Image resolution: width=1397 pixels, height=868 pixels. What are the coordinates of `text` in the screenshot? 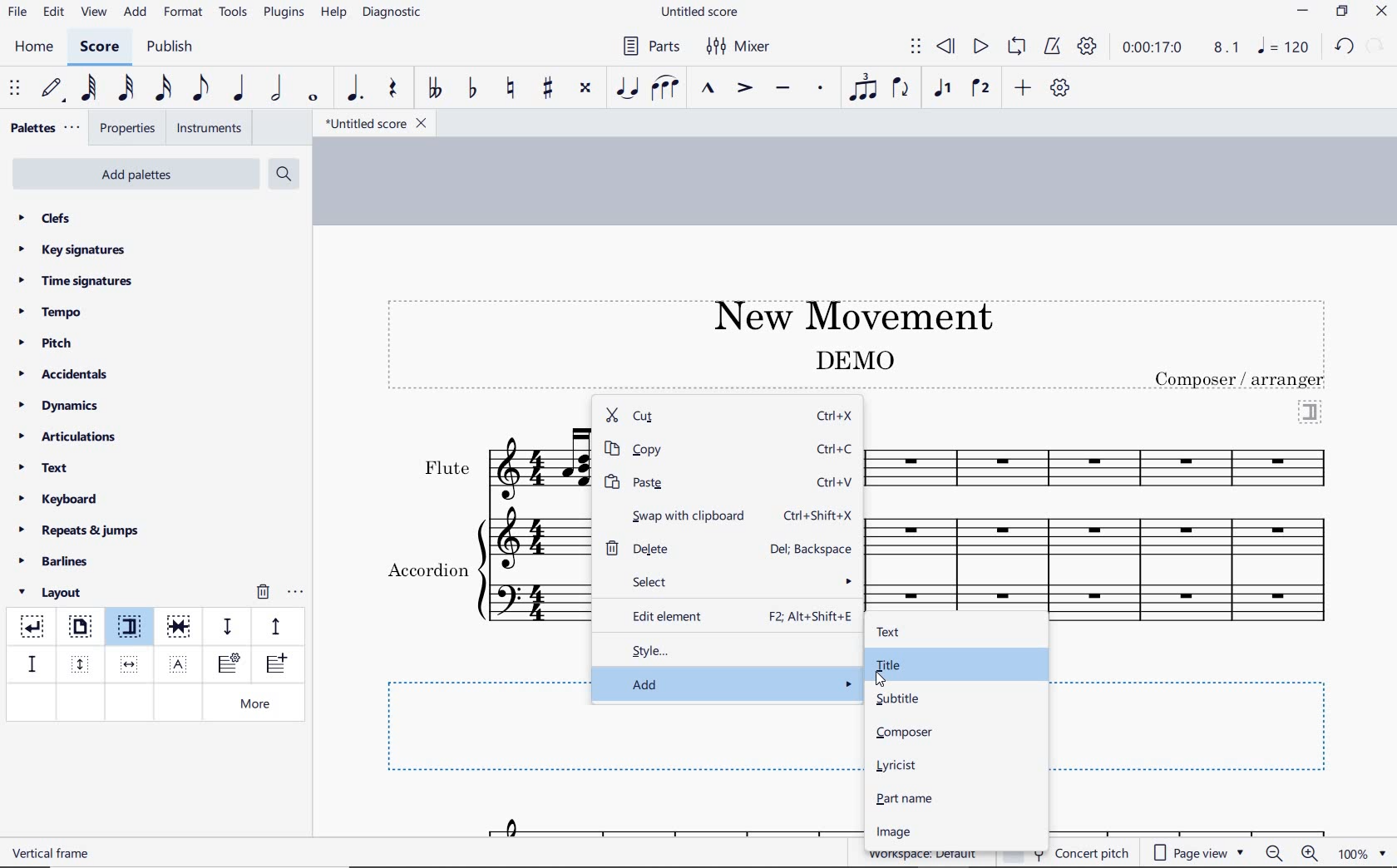 It's located at (45, 470).